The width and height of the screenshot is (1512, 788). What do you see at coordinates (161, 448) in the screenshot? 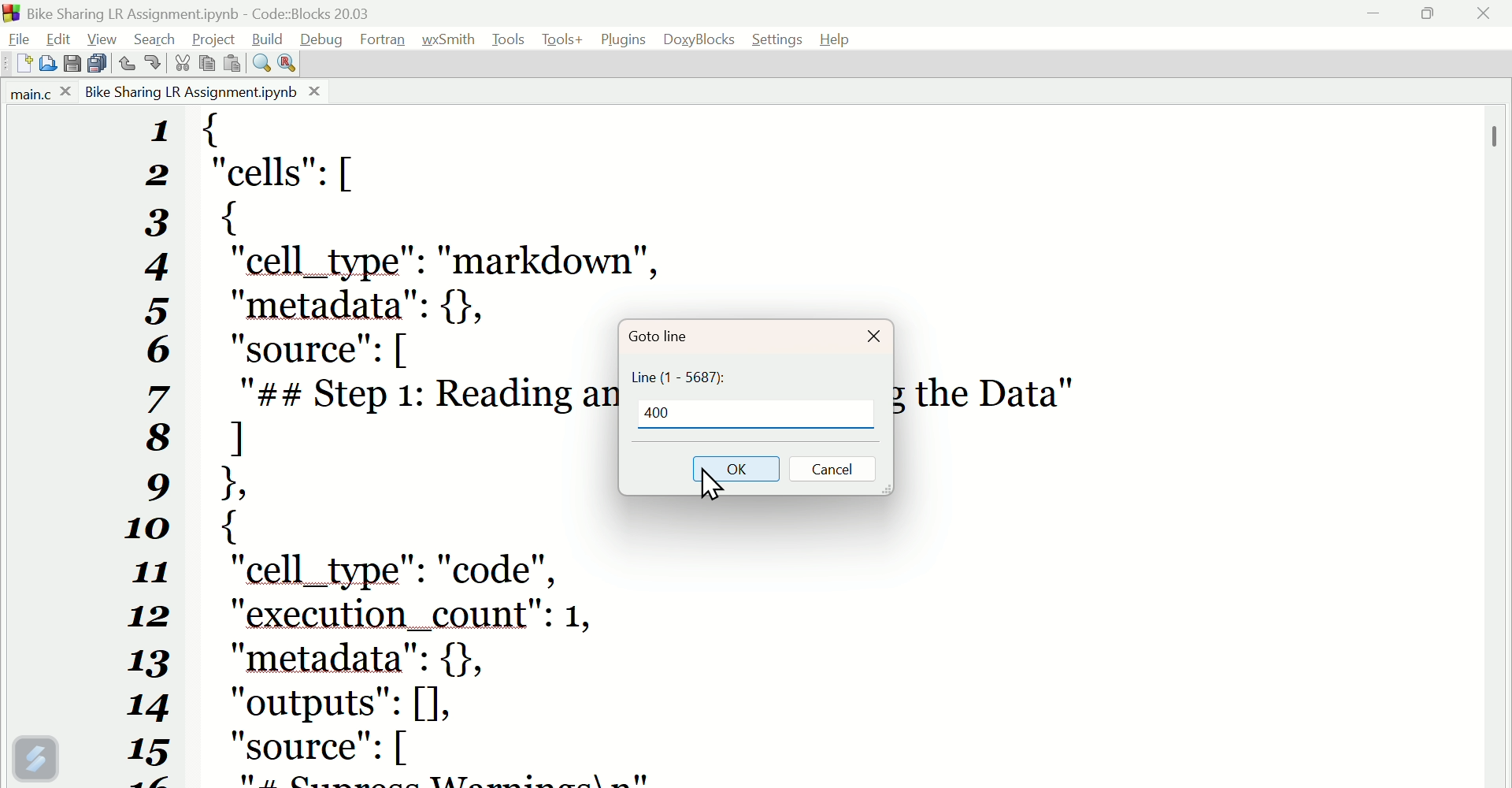
I see `Numbers` at bounding box center [161, 448].